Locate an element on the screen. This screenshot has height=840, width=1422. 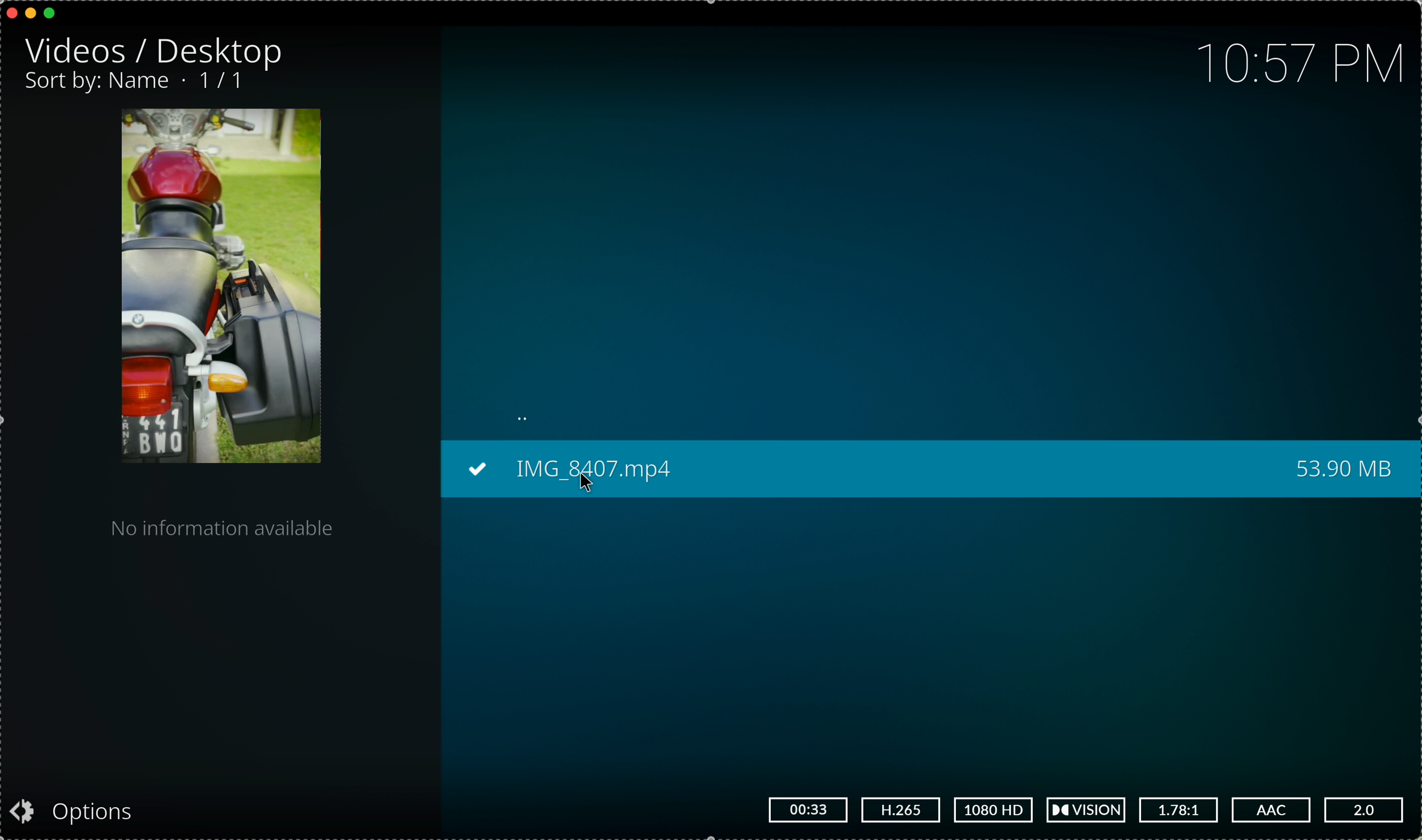
minimize program is located at coordinates (31, 16).